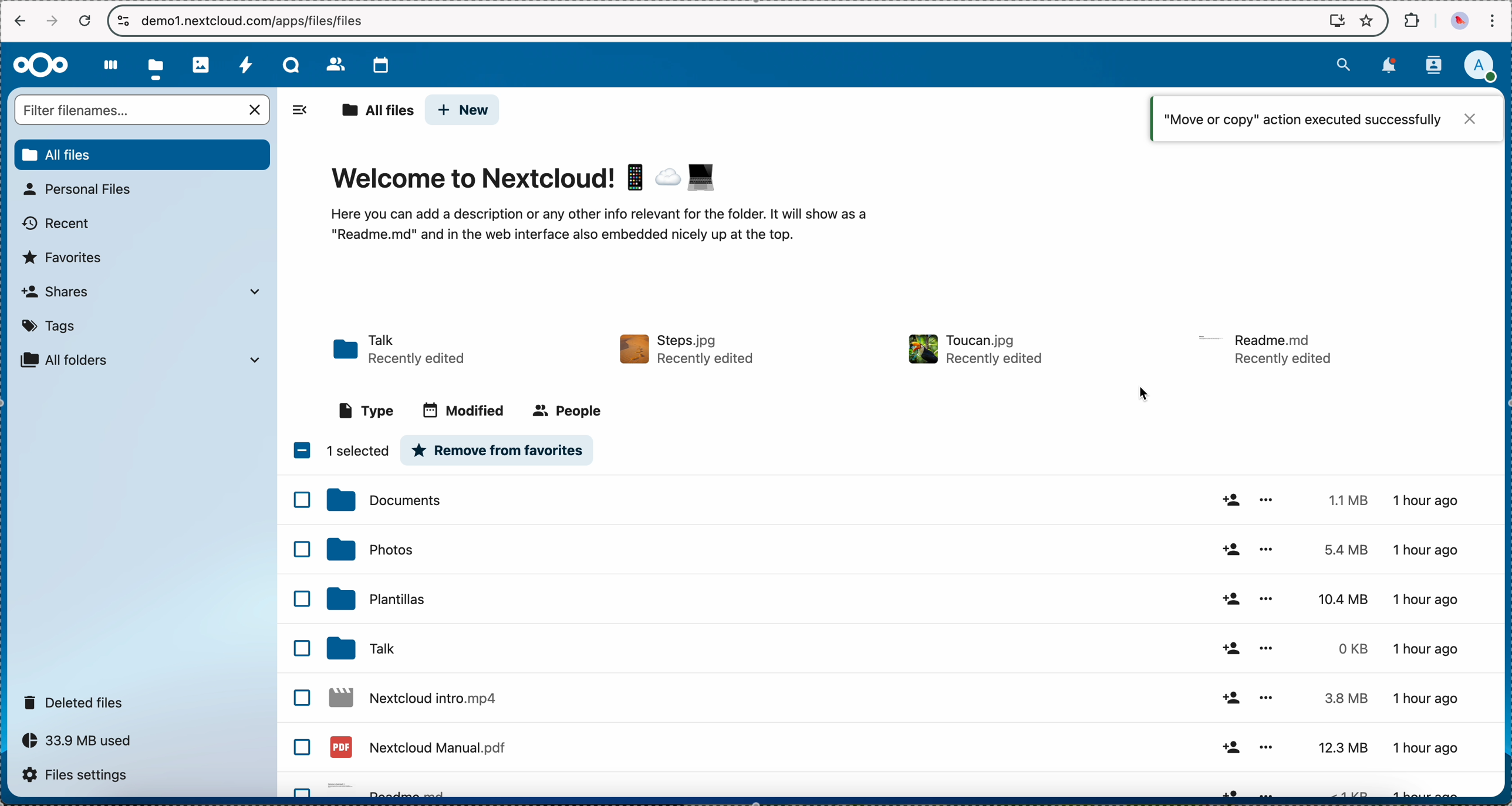 This screenshot has width=1512, height=806. What do you see at coordinates (896, 598) in the screenshot?
I see `templates` at bounding box center [896, 598].